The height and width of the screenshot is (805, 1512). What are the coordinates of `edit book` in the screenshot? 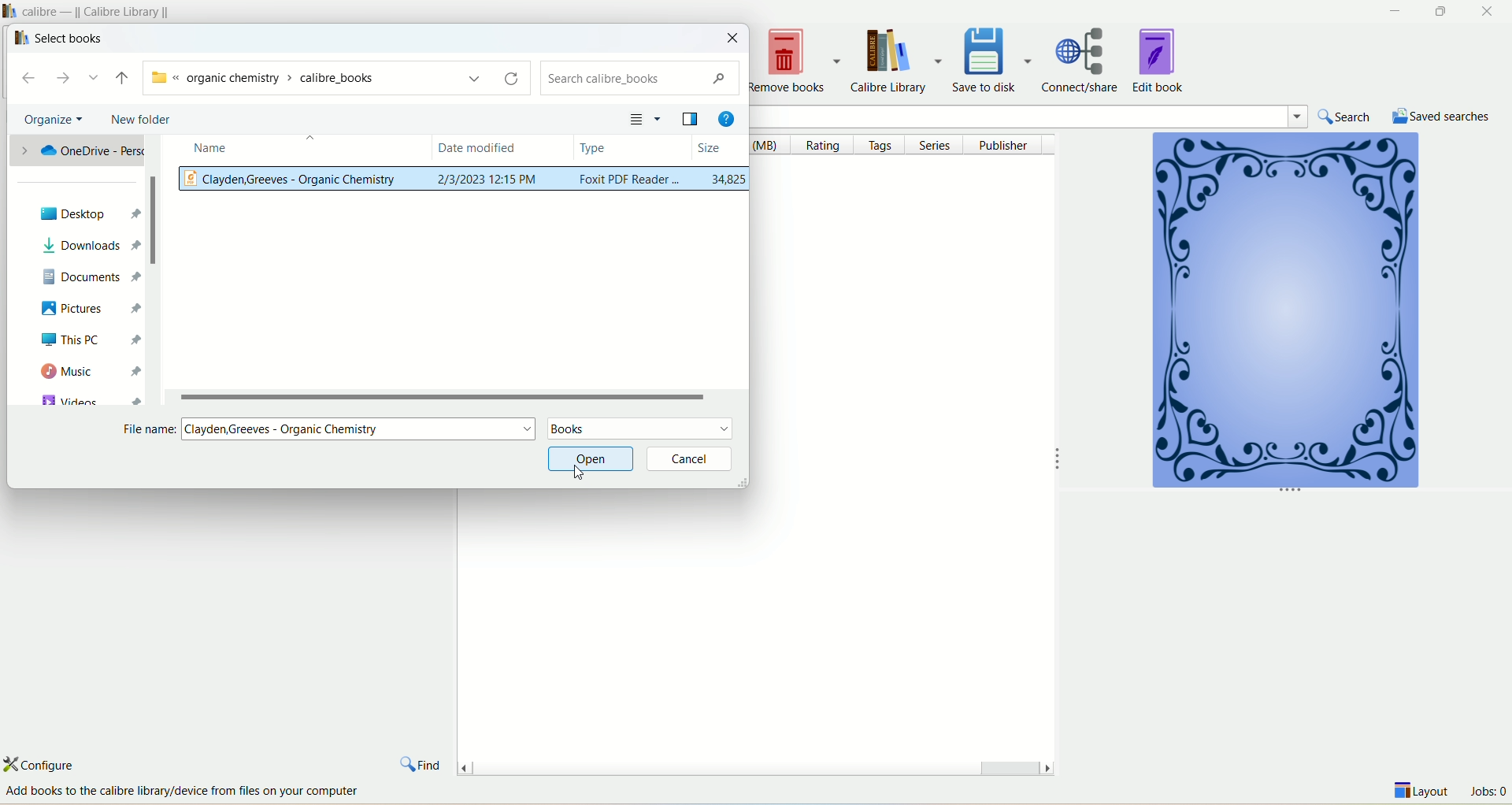 It's located at (1160, 59).